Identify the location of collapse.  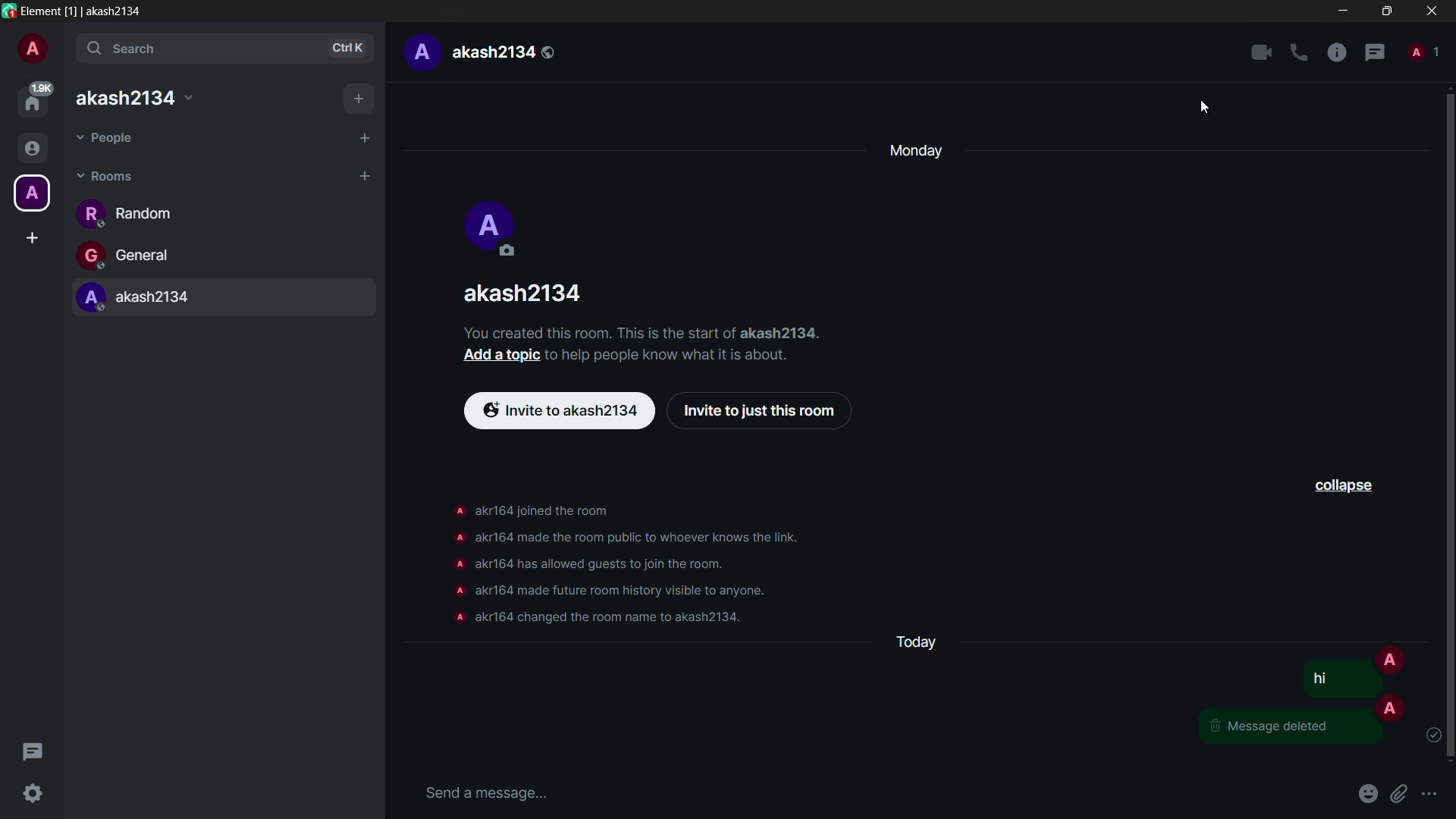
(1345, 485).